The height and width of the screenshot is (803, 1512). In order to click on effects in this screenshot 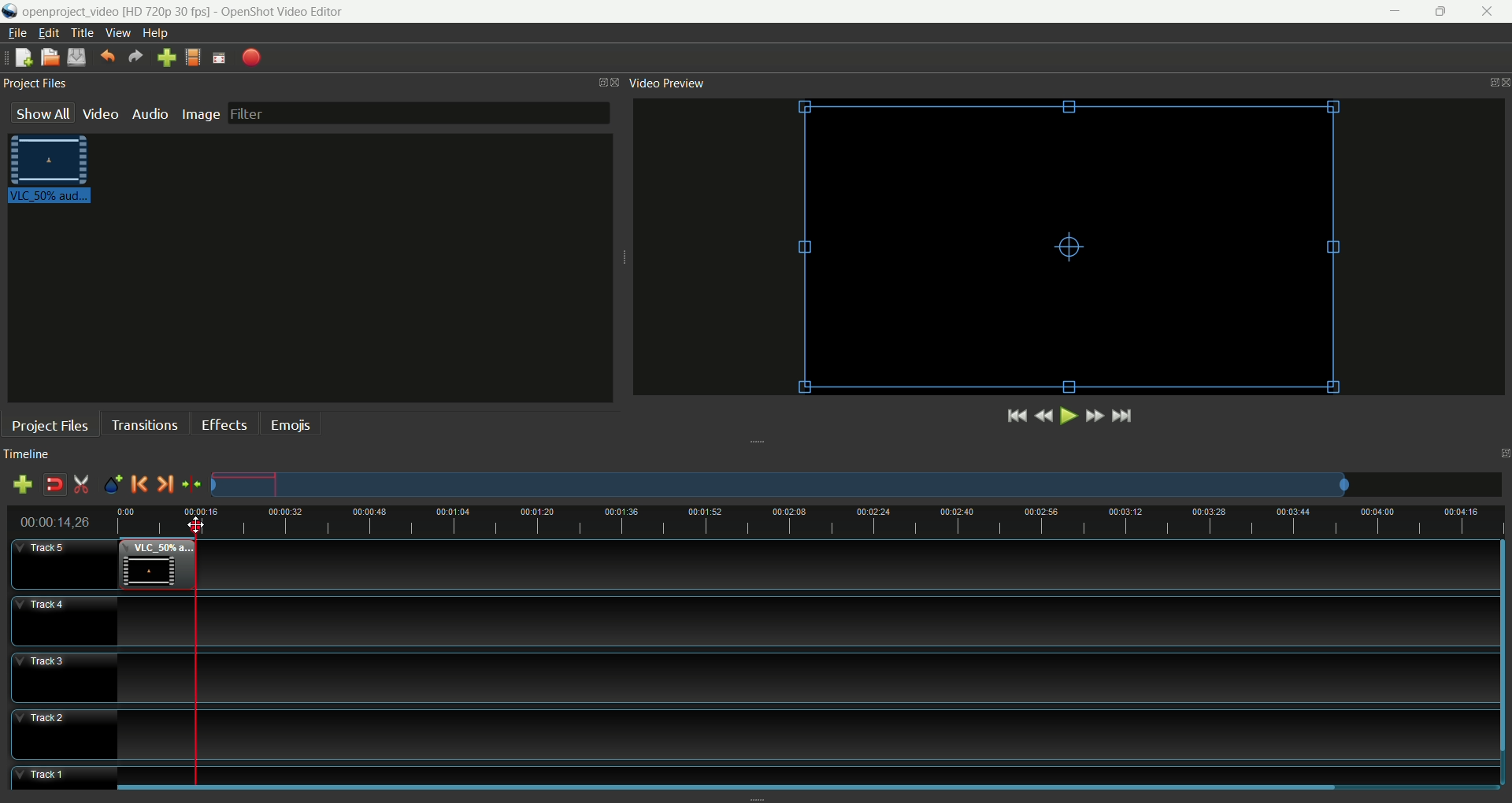, I will do `click(224, 422)`.